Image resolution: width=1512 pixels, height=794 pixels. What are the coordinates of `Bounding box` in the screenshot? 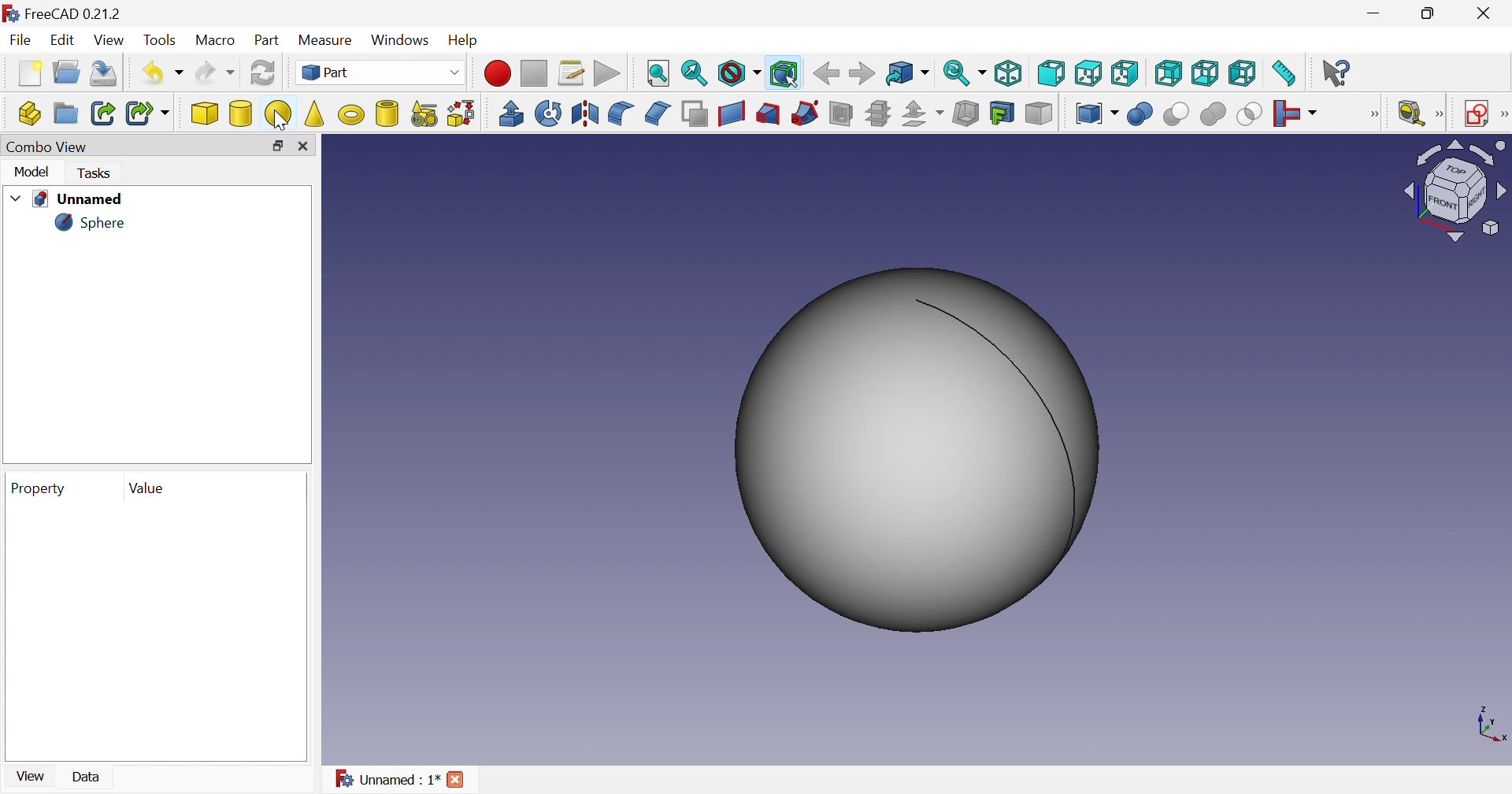 It's located at (785, 74).